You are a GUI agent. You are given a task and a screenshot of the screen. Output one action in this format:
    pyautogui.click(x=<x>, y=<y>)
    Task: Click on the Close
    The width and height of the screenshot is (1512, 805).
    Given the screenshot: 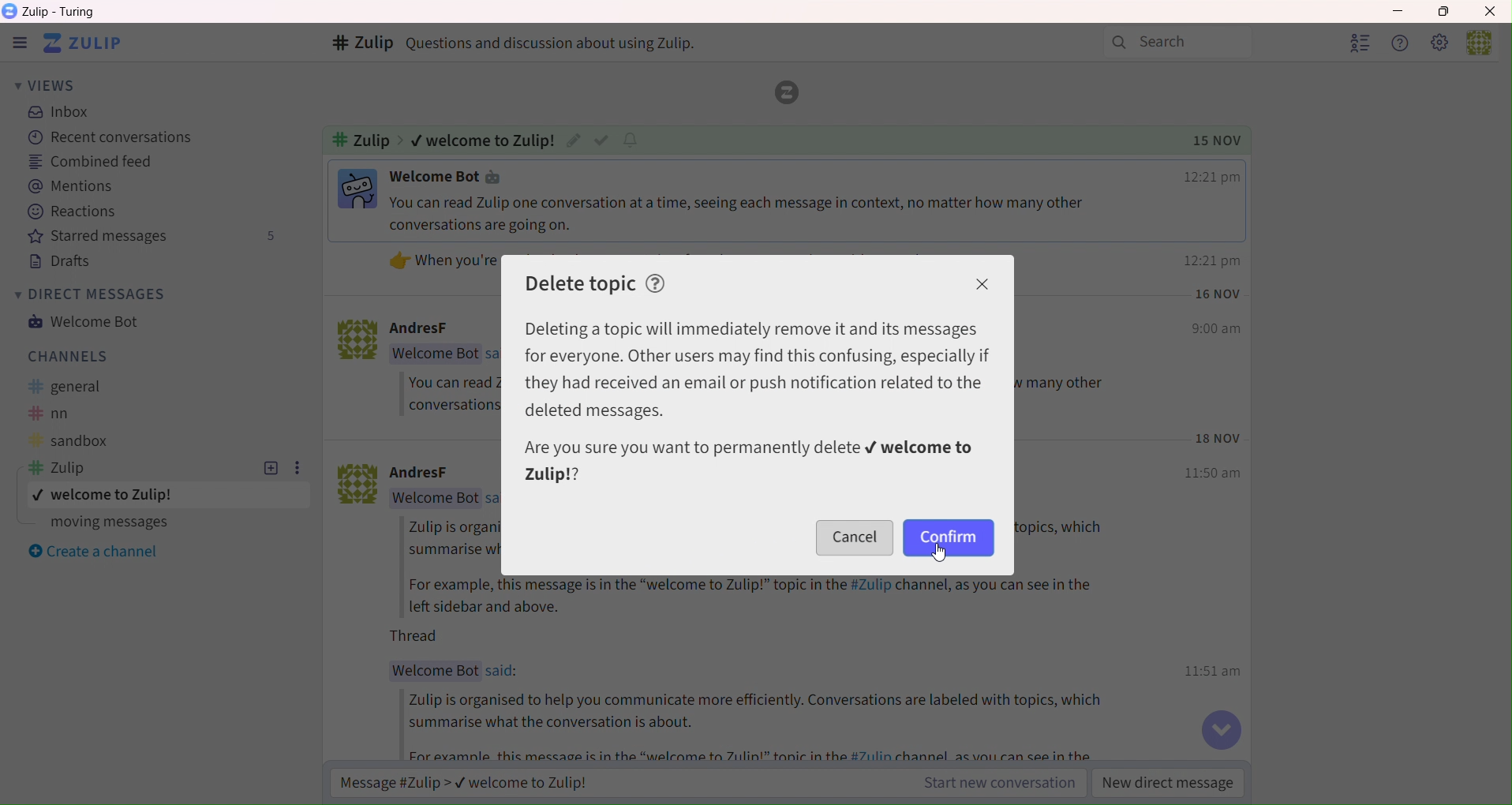 What is the action you would take?
    pyautogui.click(x=1489, y=12)
    